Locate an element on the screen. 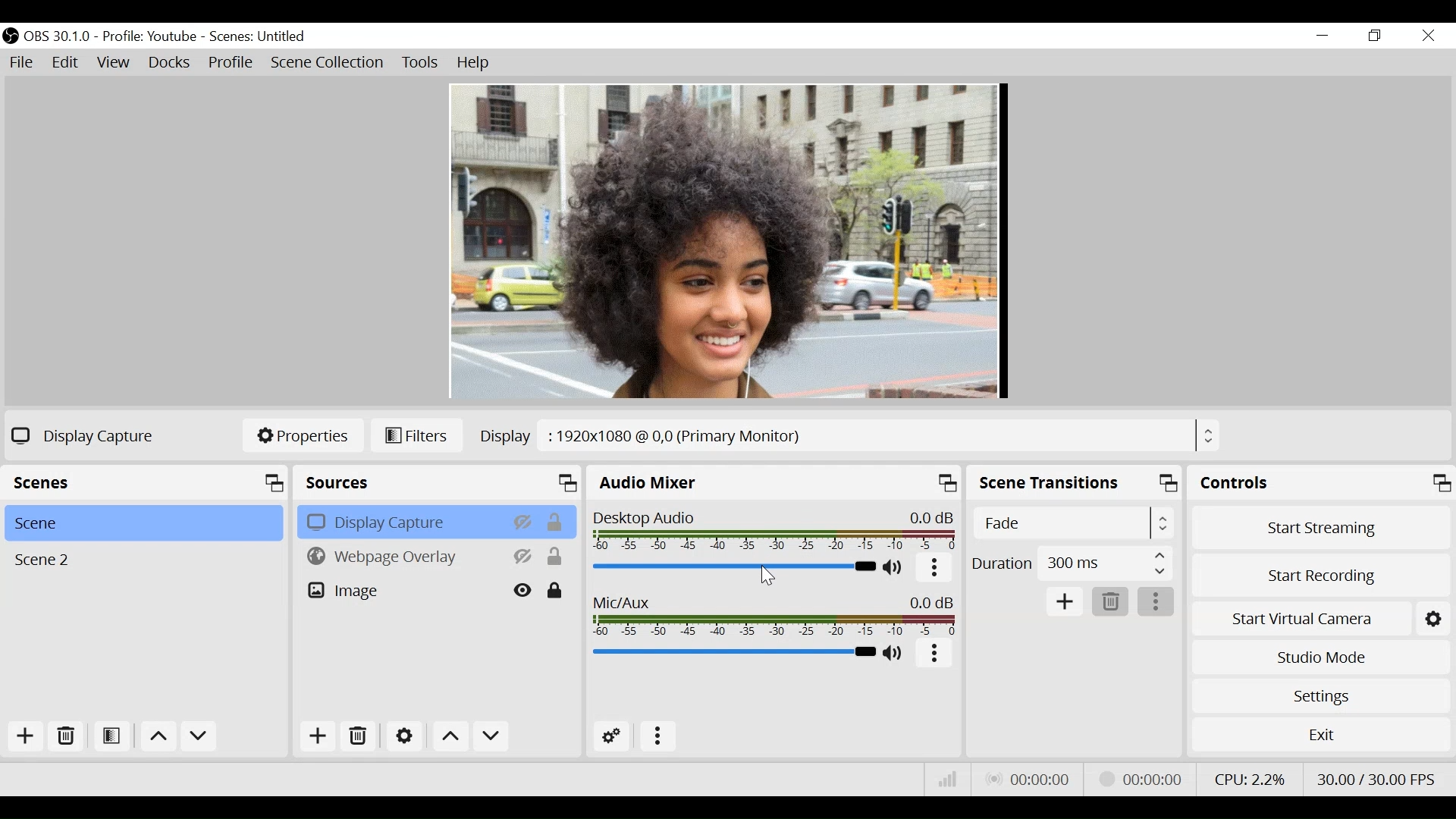 The width and height of the screenshot is (1456, 819). more options is located at coordinates (1155, 602).